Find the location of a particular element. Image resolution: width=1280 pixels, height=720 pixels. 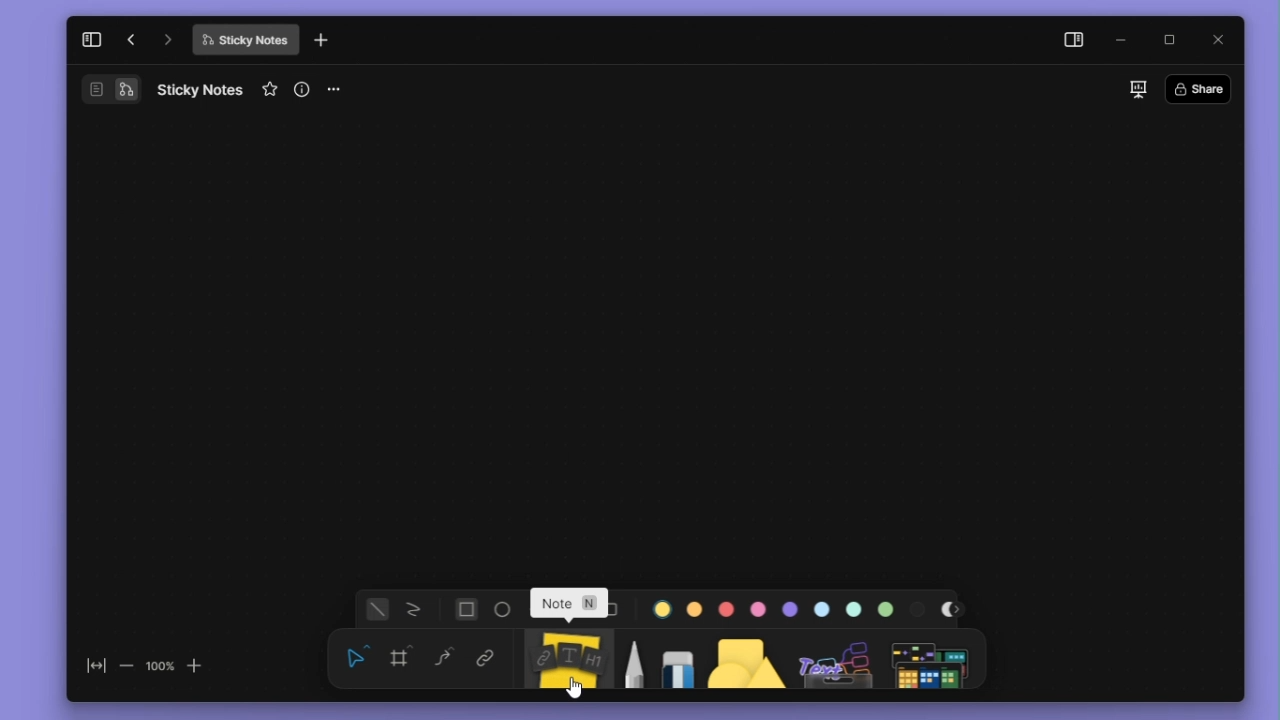

pen is located at coordinates (637, 661).